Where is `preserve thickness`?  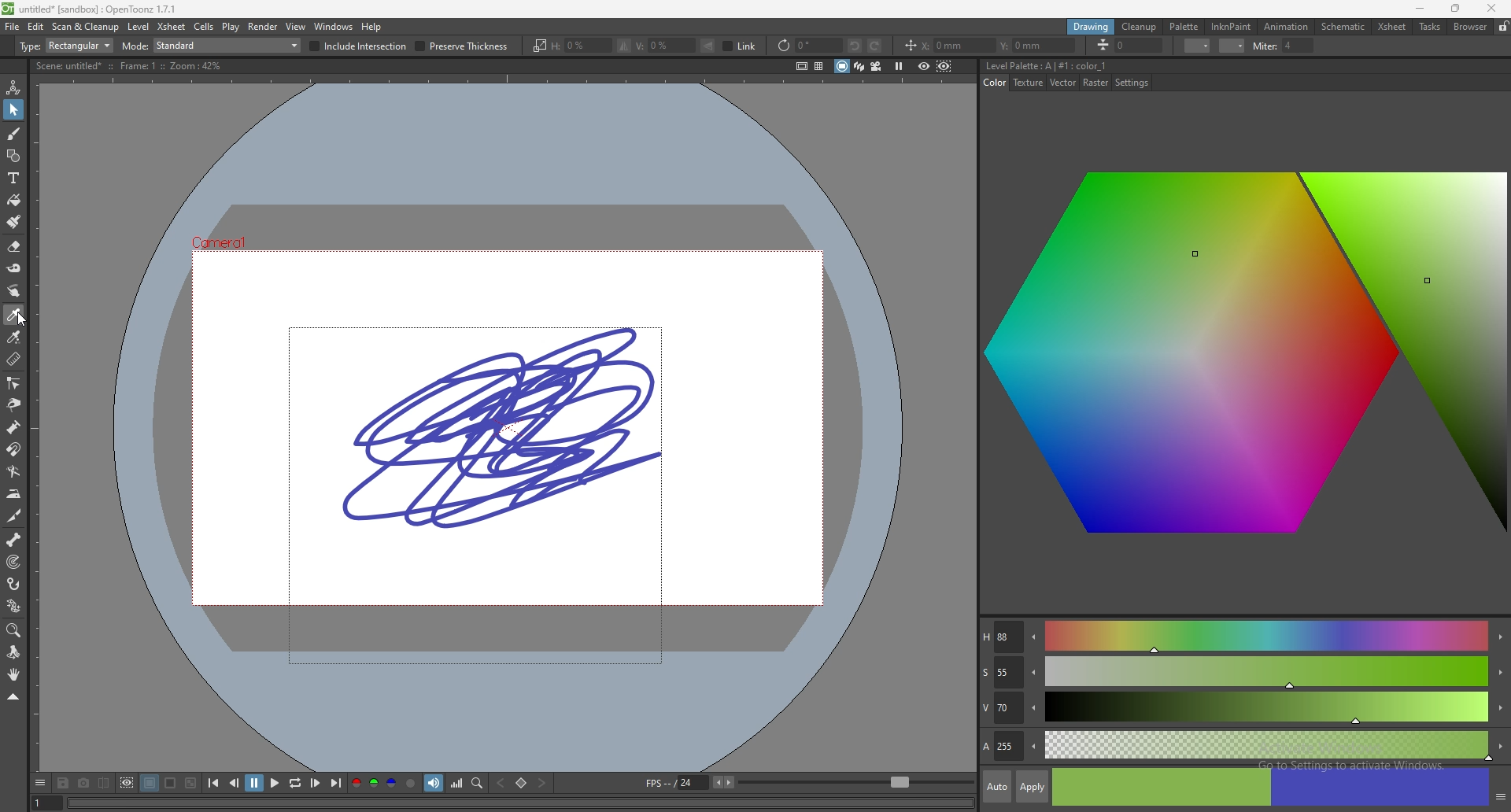
preserve thickness is located at coordinates (463, 46).